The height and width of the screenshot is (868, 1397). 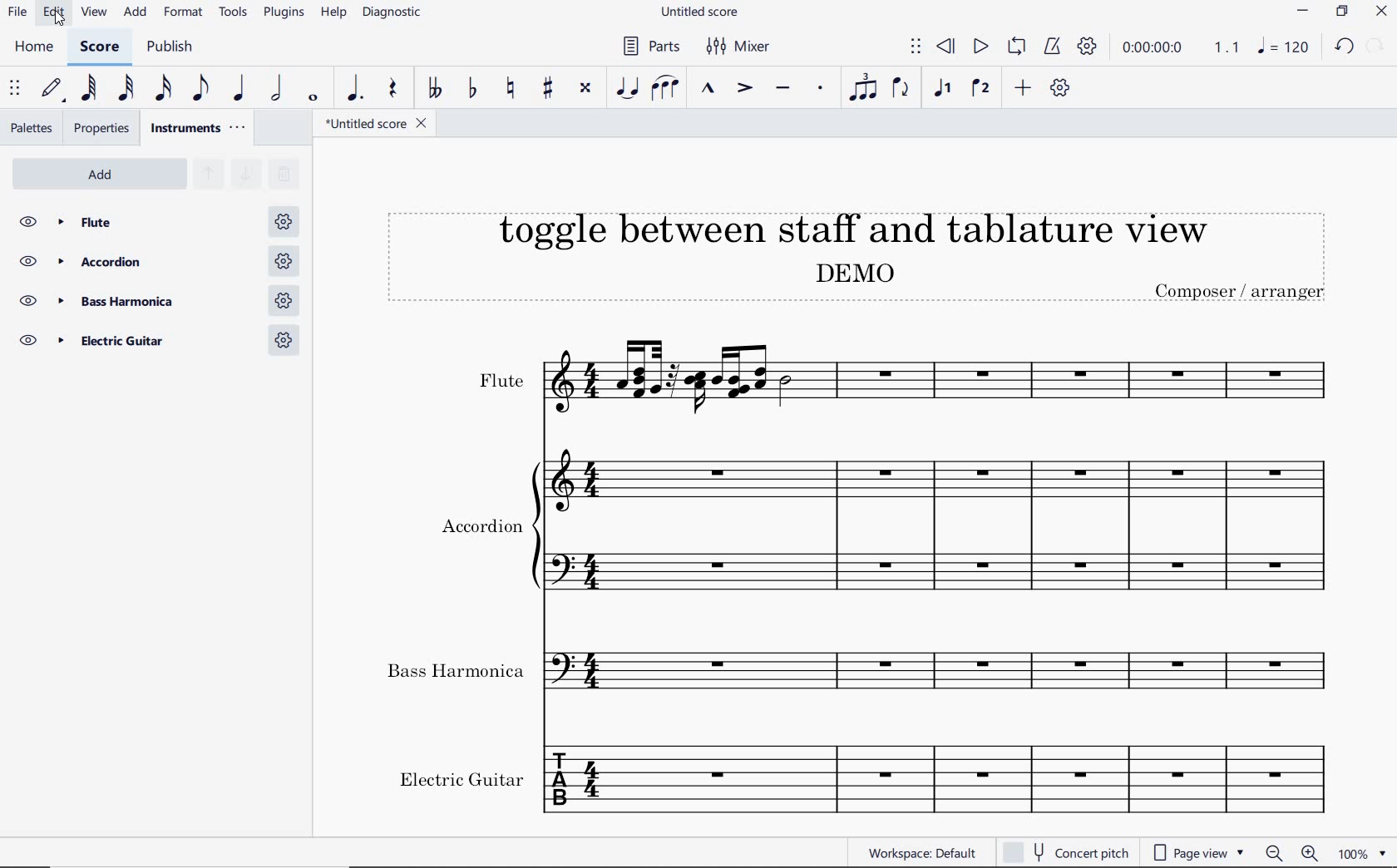 I want to click on play, so click(x=980, y=47).